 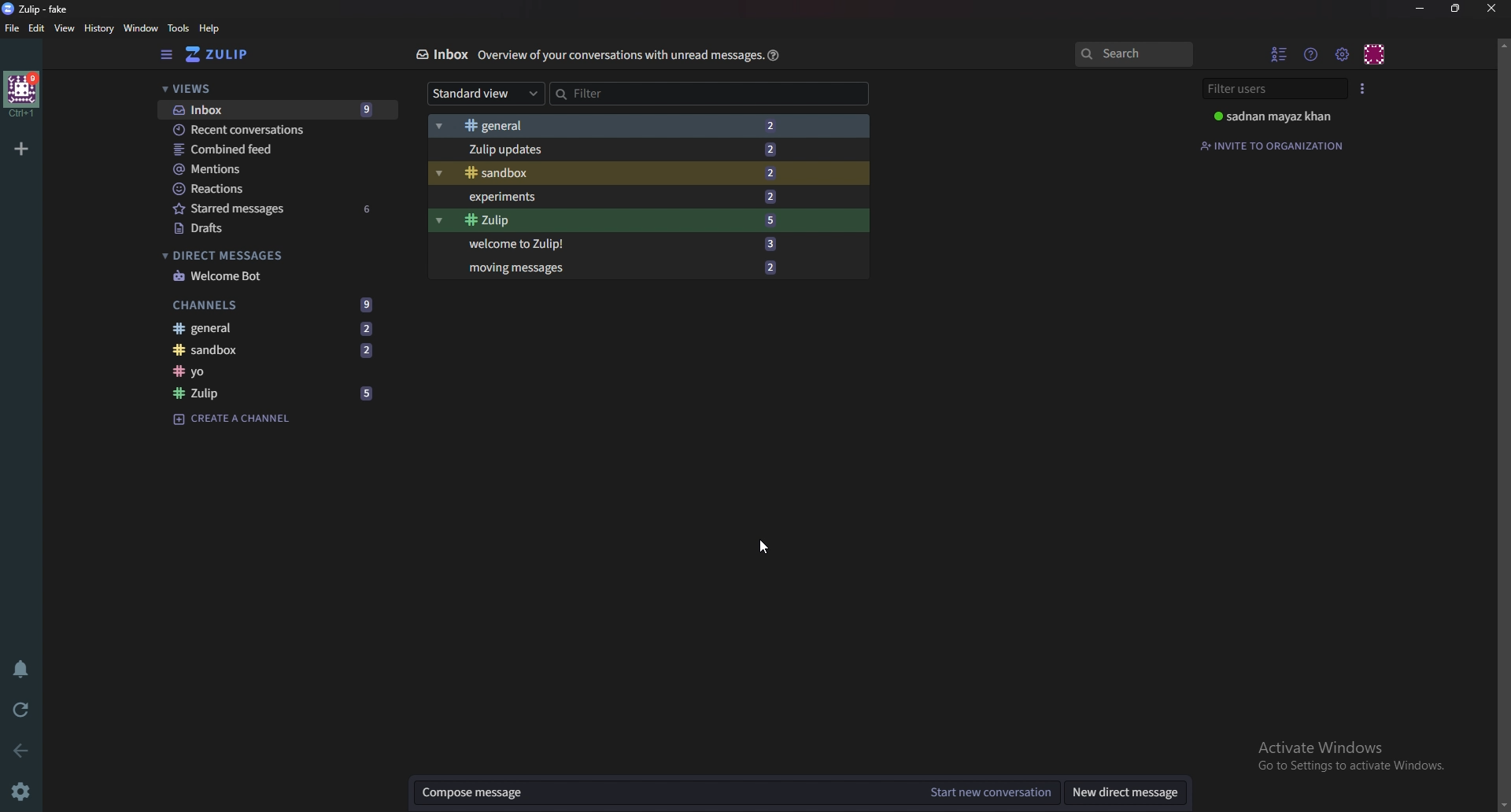 What do you see at coordinates (167, 56) in the screenshot?
I see `Hide side bar` at bounding box center [167, 56].